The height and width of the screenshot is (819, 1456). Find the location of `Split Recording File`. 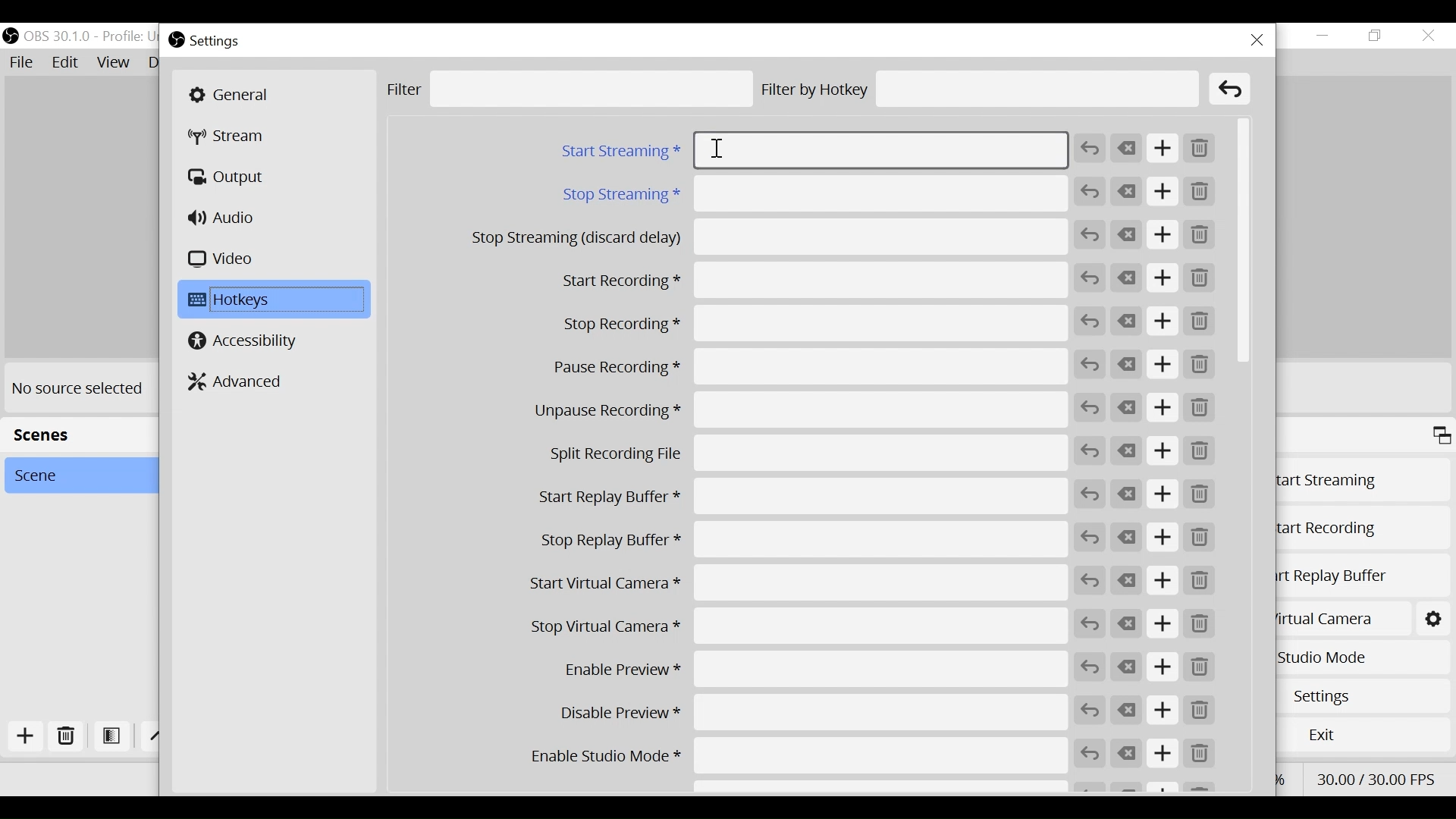

Split Recording File is located at coordinates (798, 454).